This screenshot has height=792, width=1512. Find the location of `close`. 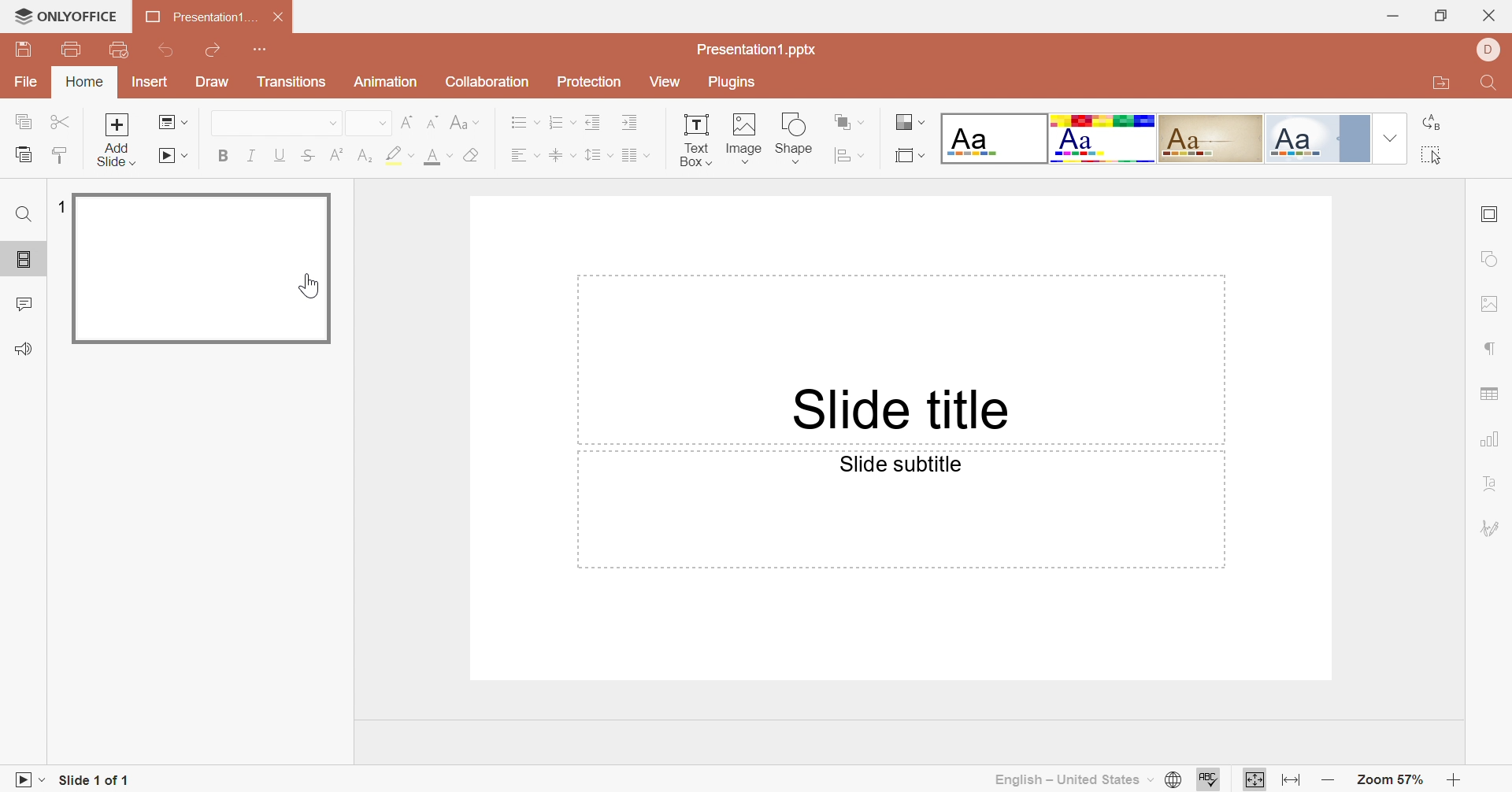

close is located at coordinates (1492, 13).